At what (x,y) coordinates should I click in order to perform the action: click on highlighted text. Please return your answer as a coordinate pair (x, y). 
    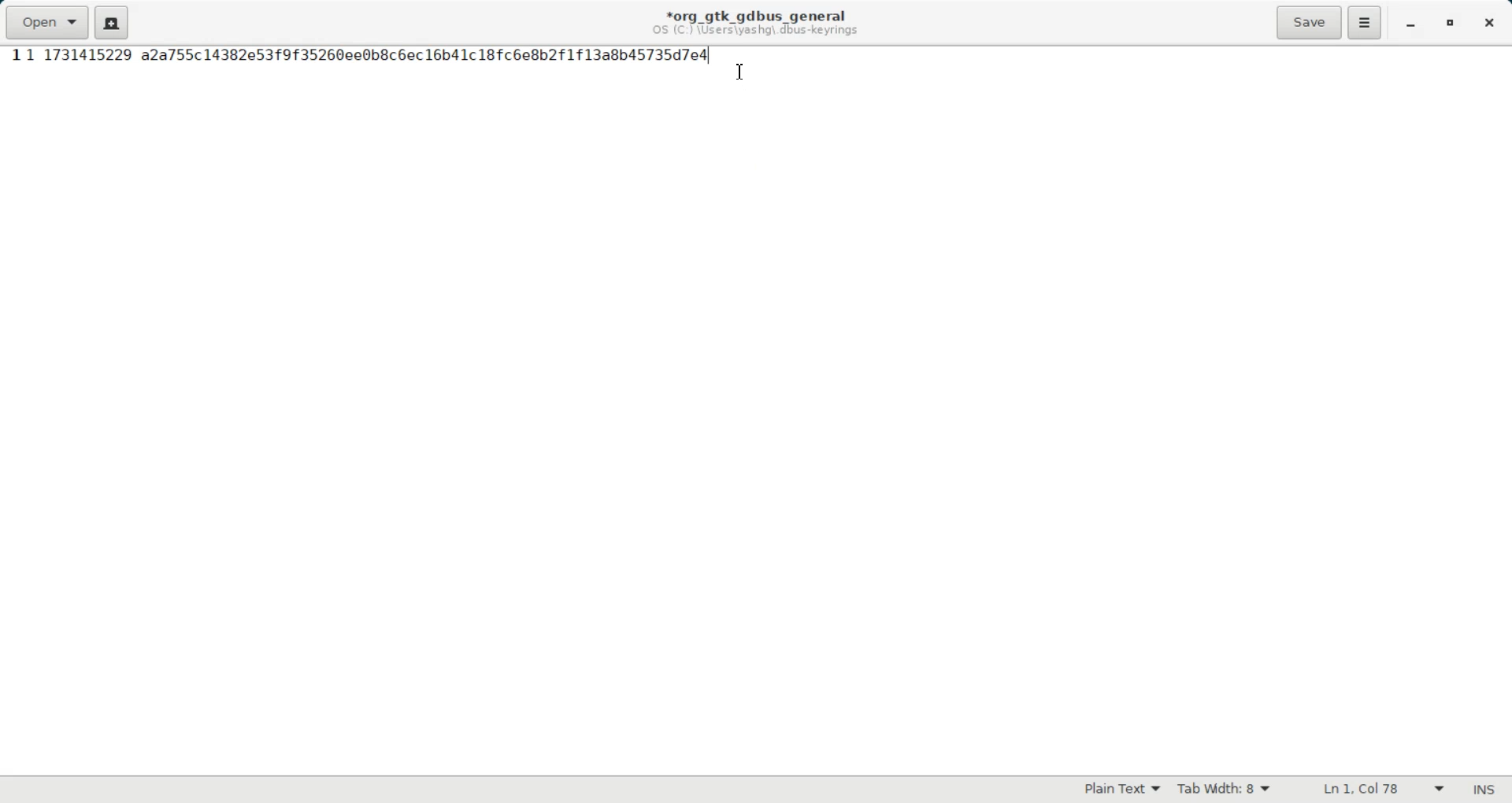
    Looking at the image, I should click on (368, 54).